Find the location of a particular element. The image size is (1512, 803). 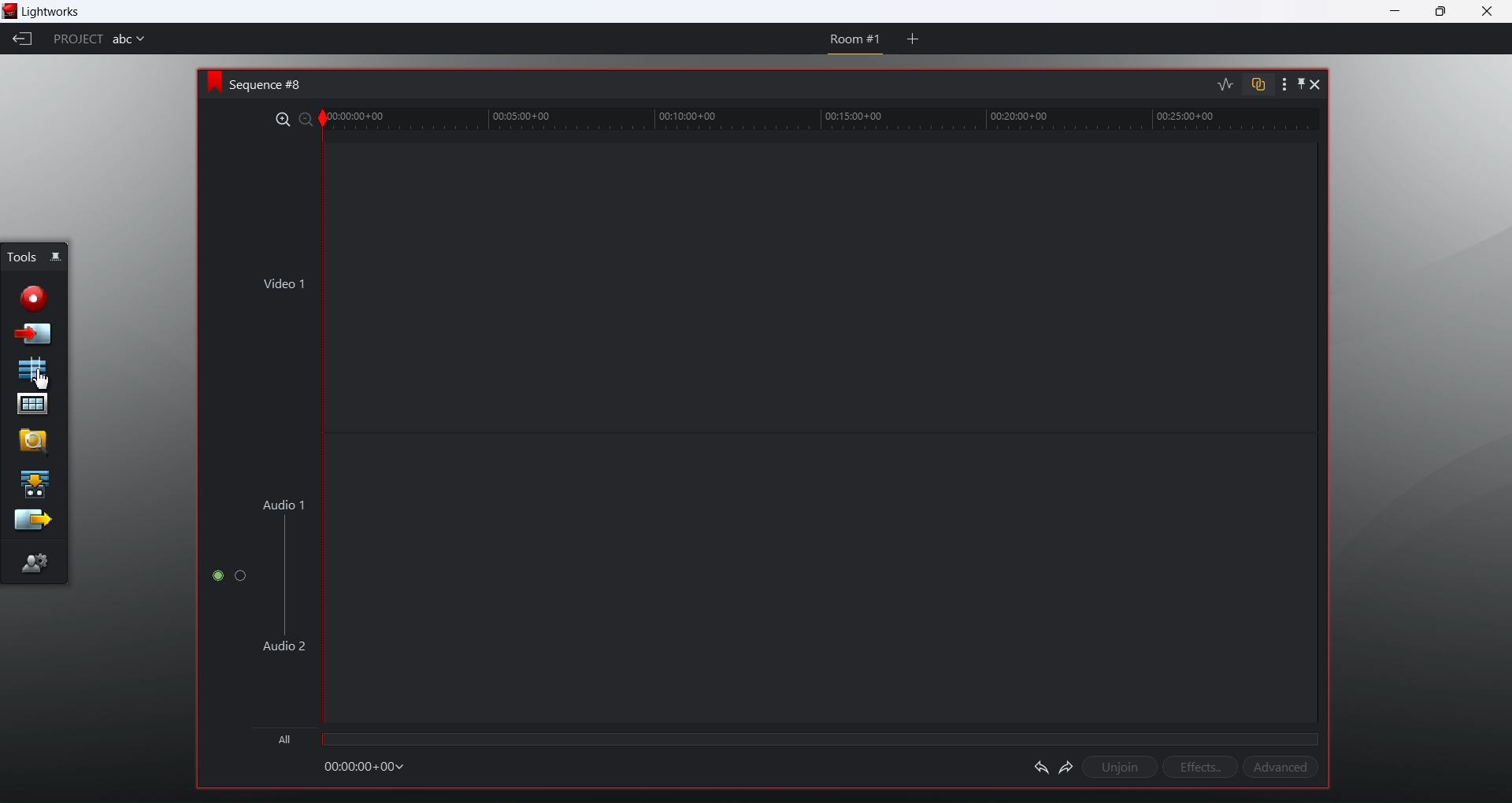

editor preferences is located at coordinates (35, 564).